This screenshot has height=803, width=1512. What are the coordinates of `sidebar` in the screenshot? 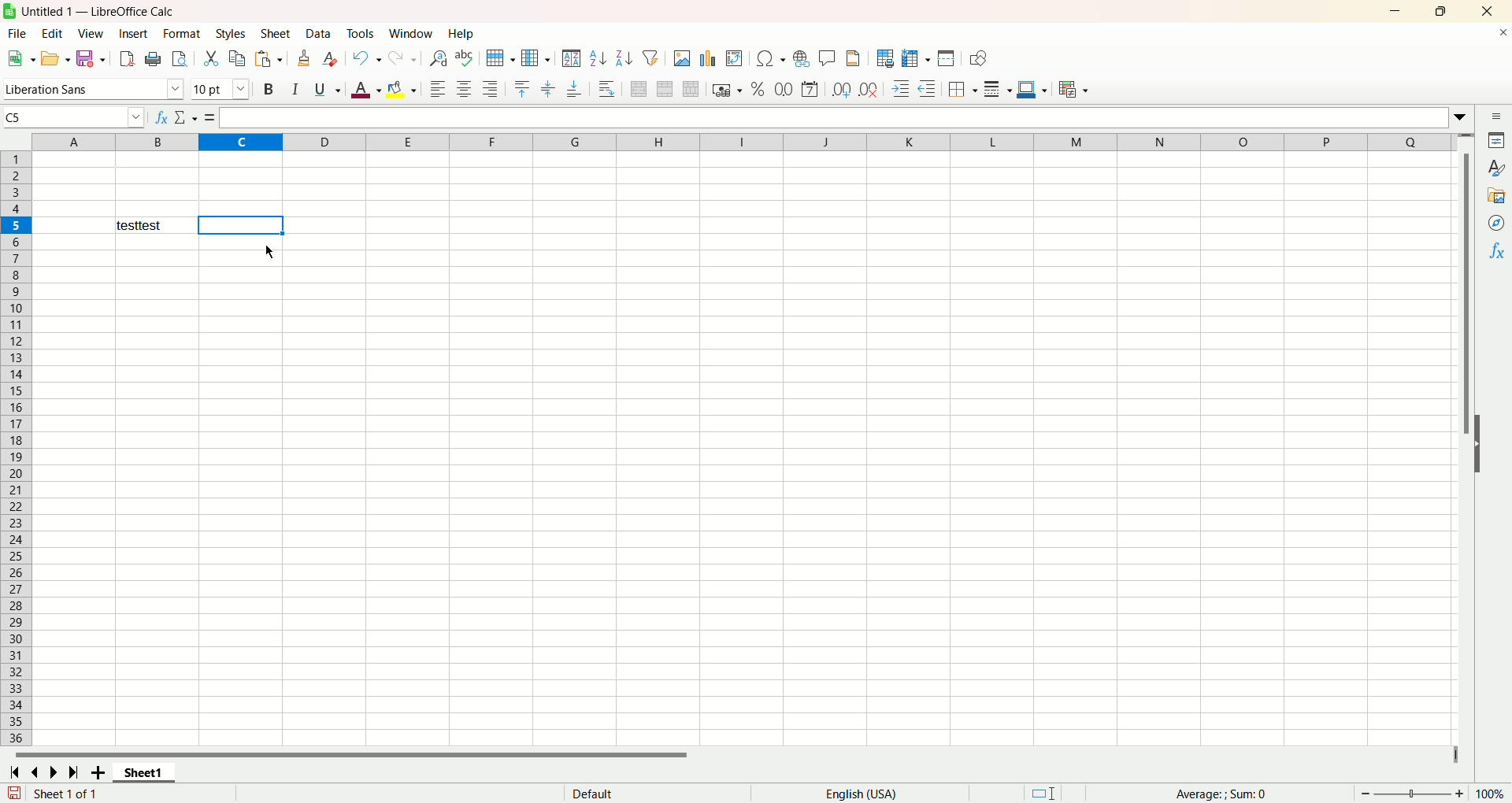 It's located at (1495, 117).